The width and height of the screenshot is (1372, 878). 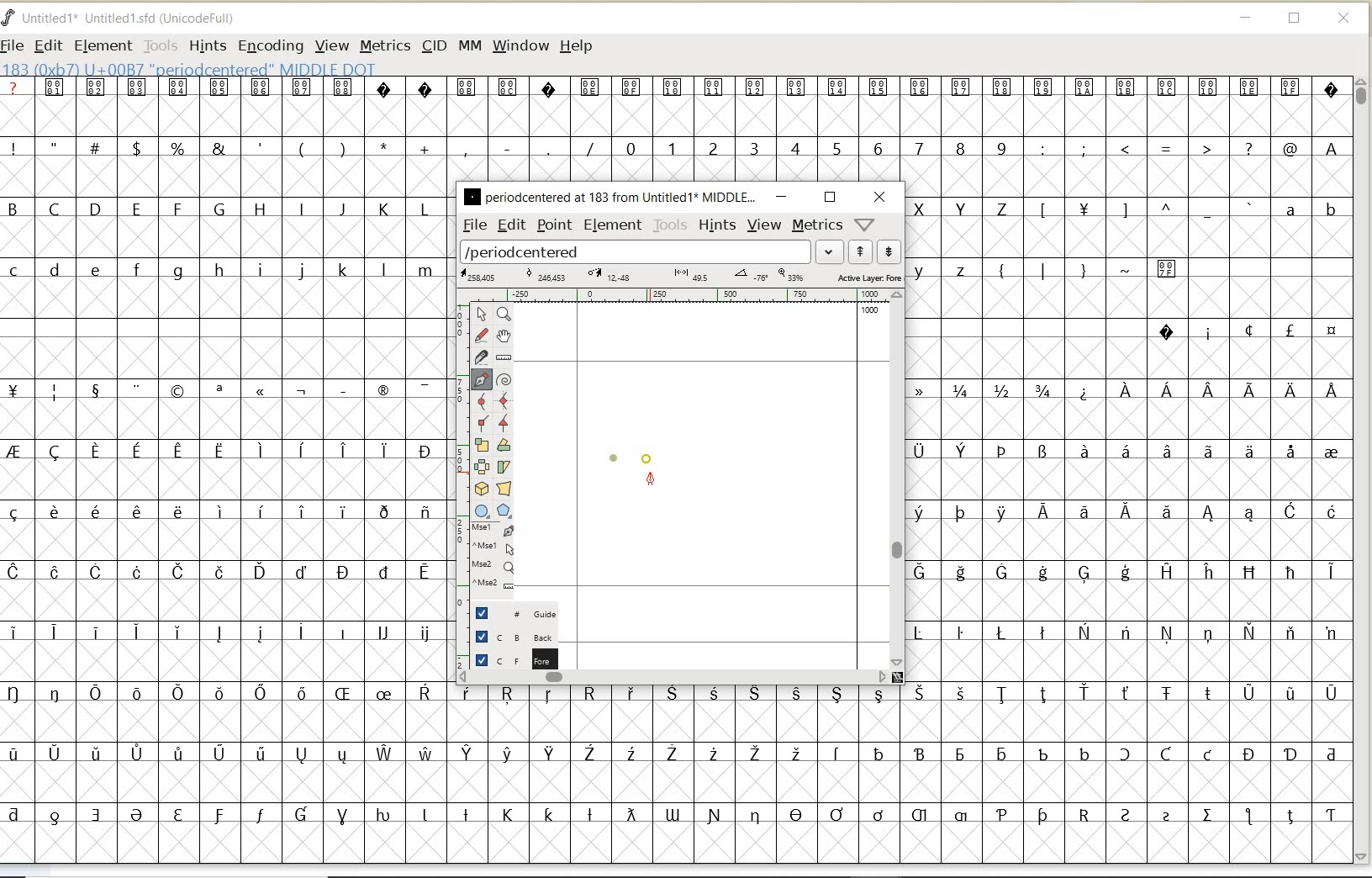 What do you see at coordinates (614, 456) in the screenshot?
I see `dot` at bounding box center [614, 456].